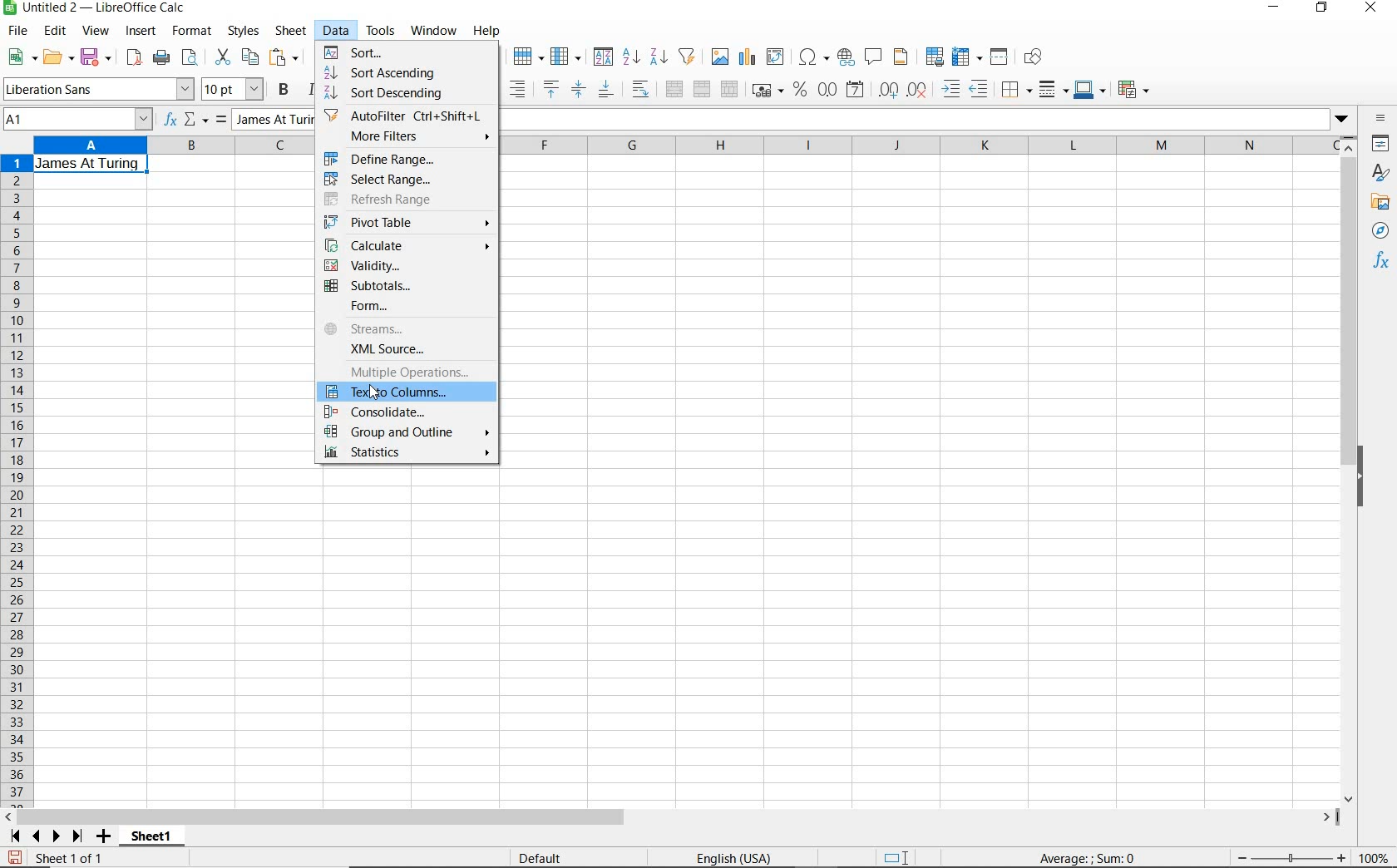  Describe the element at coordinates (384, 95) in the screenshot. I see `sort descending` at that location.